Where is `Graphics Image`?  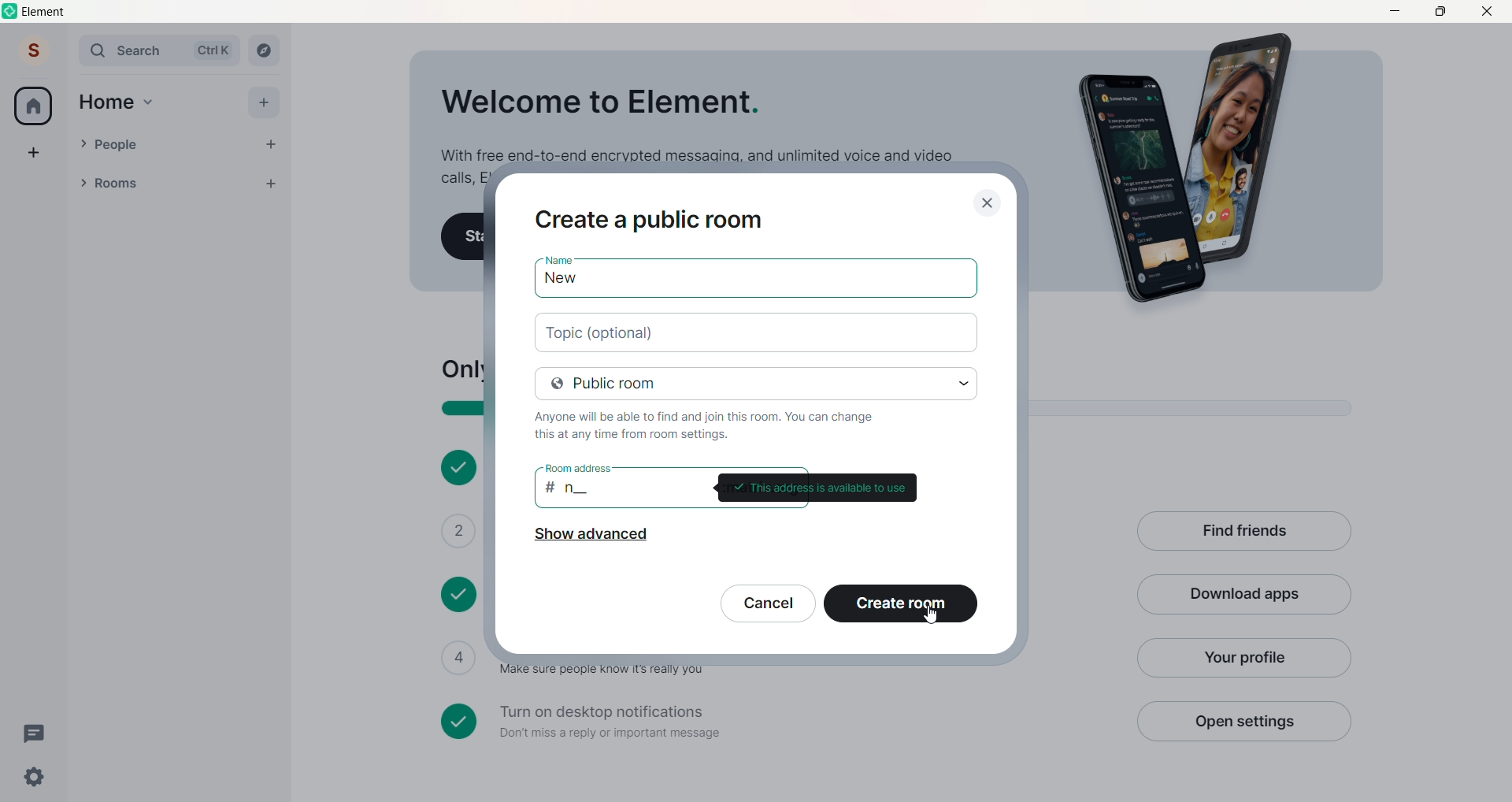 Graphics Image is located at coordinates (1194, 169).